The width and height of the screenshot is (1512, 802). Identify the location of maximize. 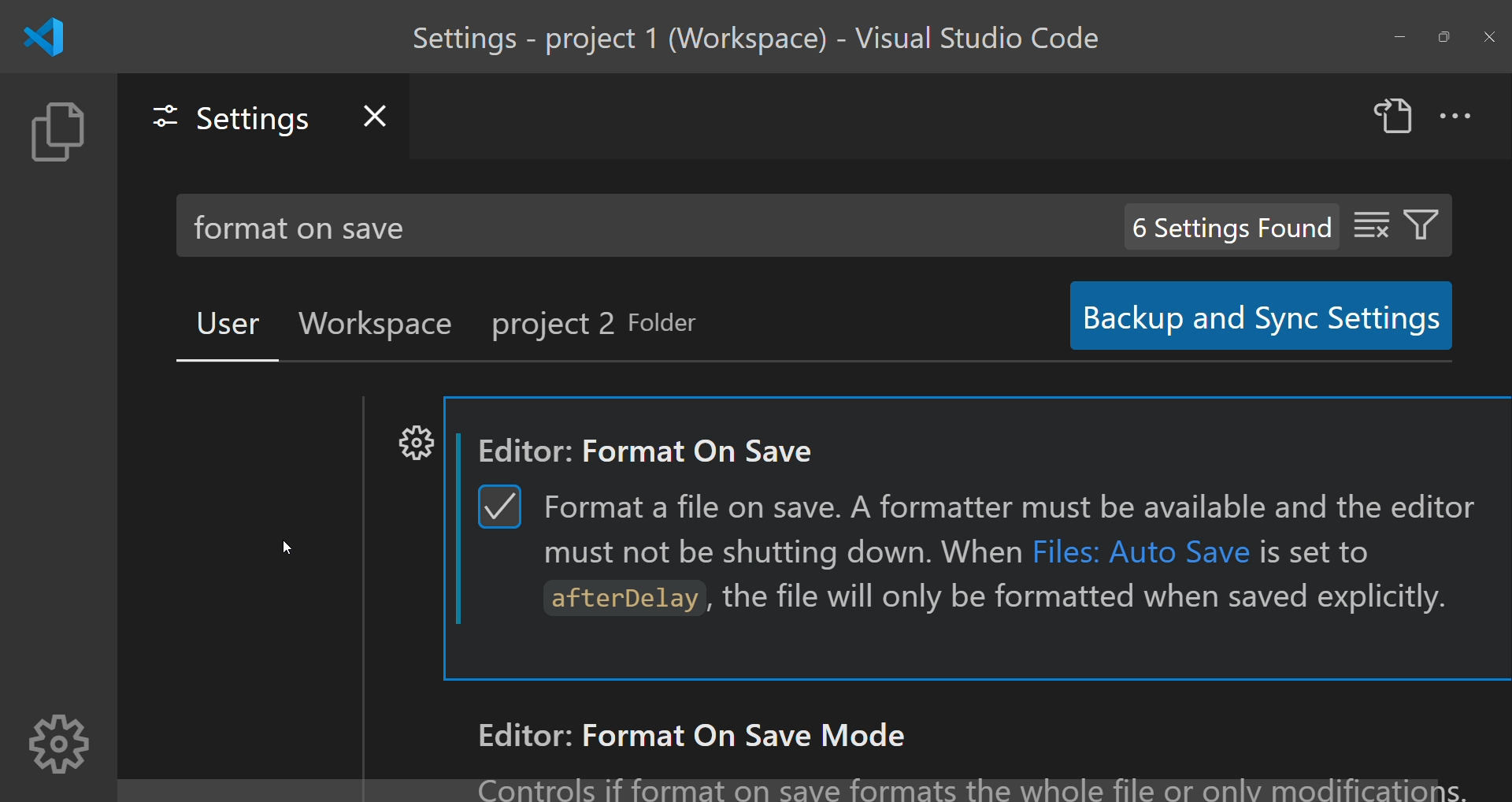
(1446, 39).